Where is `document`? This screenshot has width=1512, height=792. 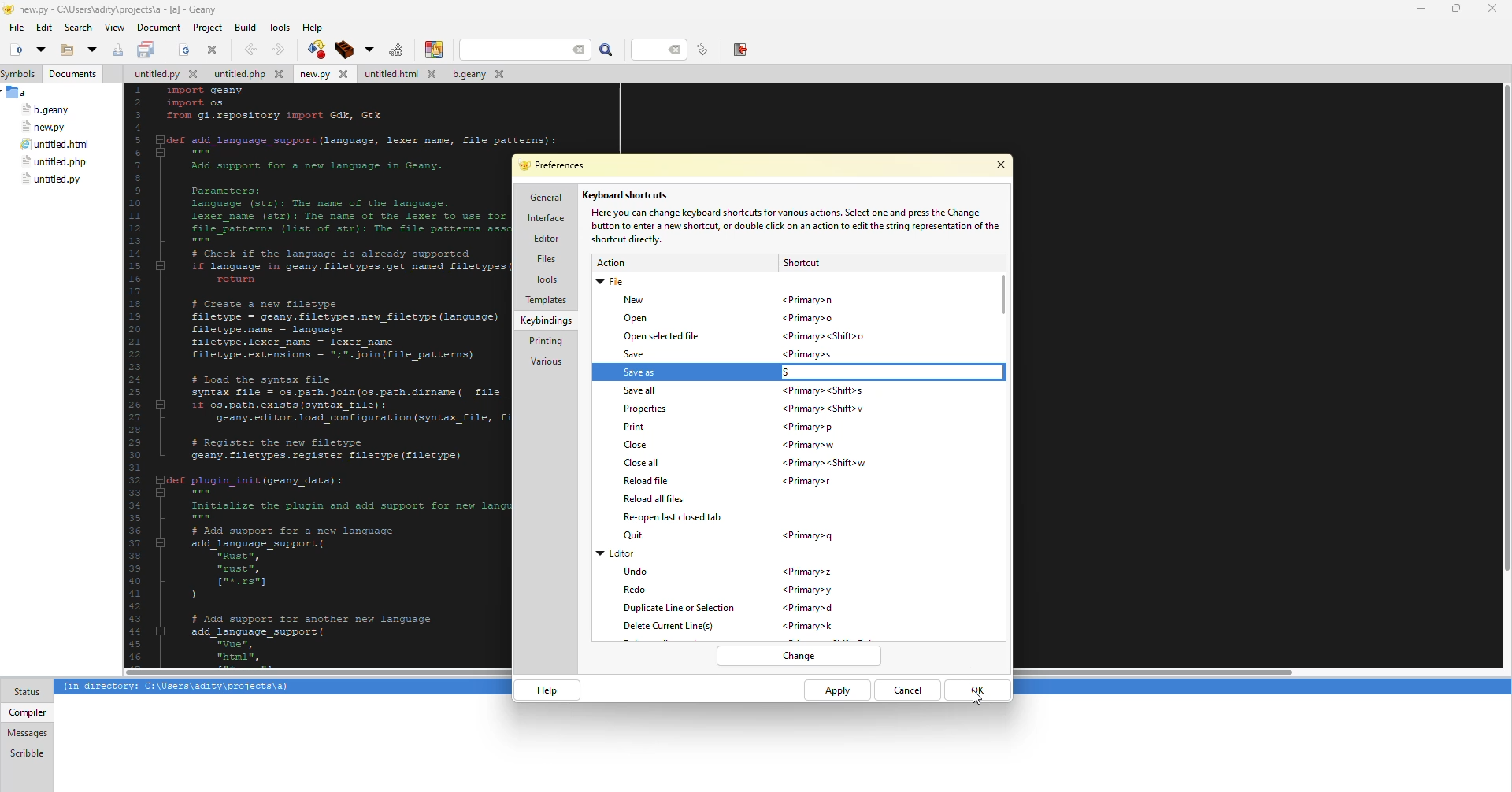 document is located at coordinates (158, 28).